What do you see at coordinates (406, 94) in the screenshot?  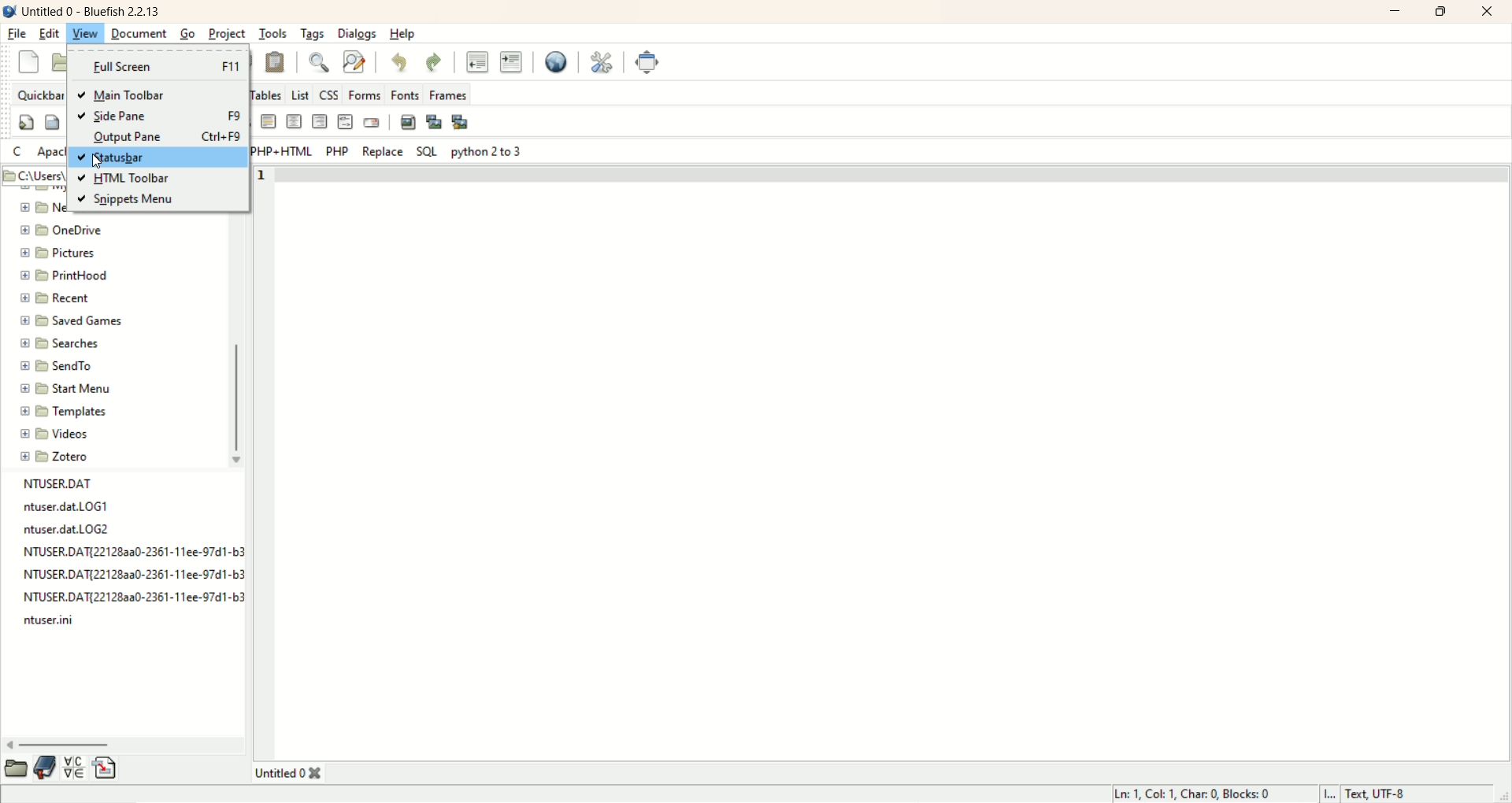 I see `fonts` at bounding box center [406, 94].